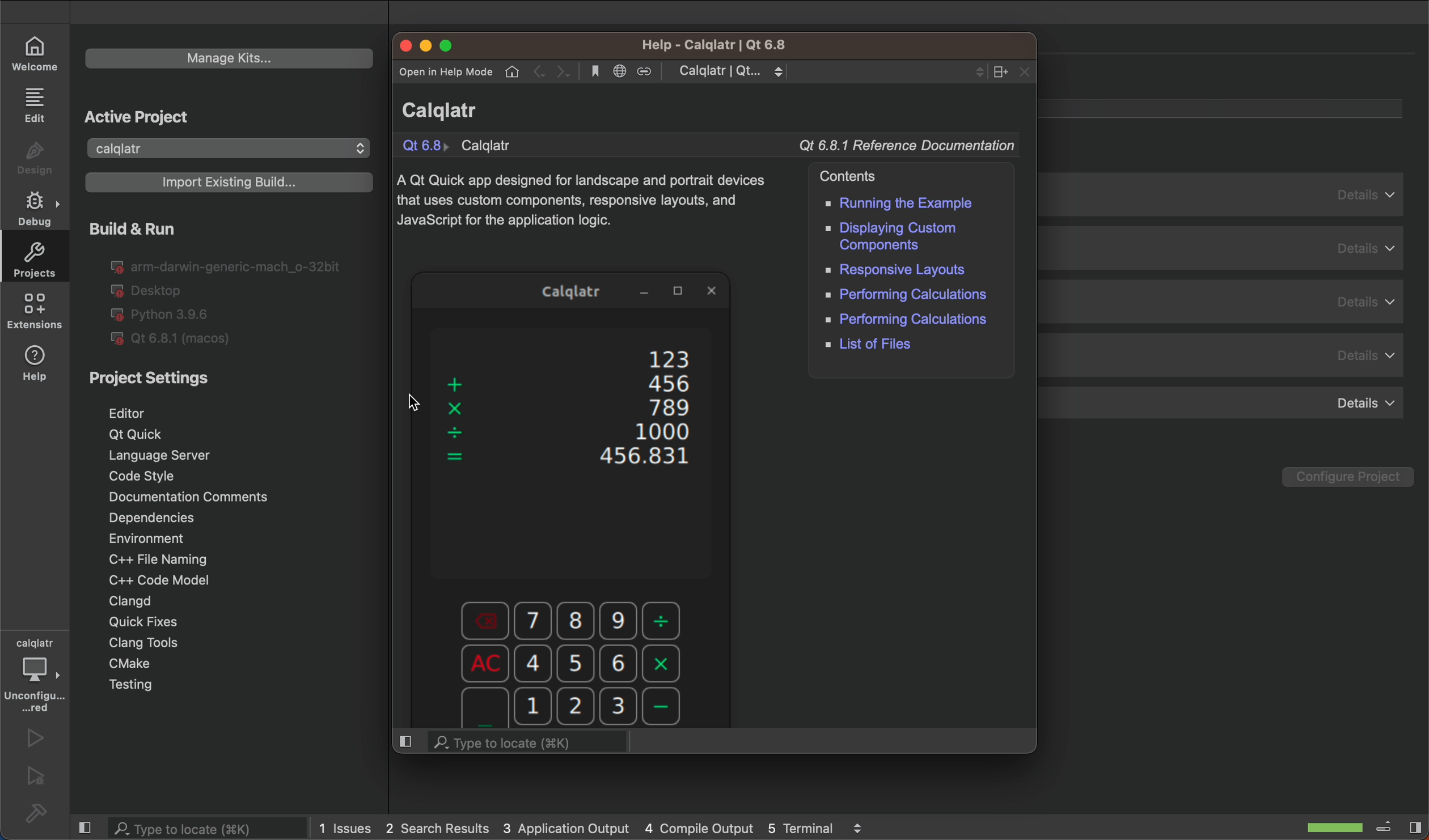  I want to click on clang tools, so click(141, 642).